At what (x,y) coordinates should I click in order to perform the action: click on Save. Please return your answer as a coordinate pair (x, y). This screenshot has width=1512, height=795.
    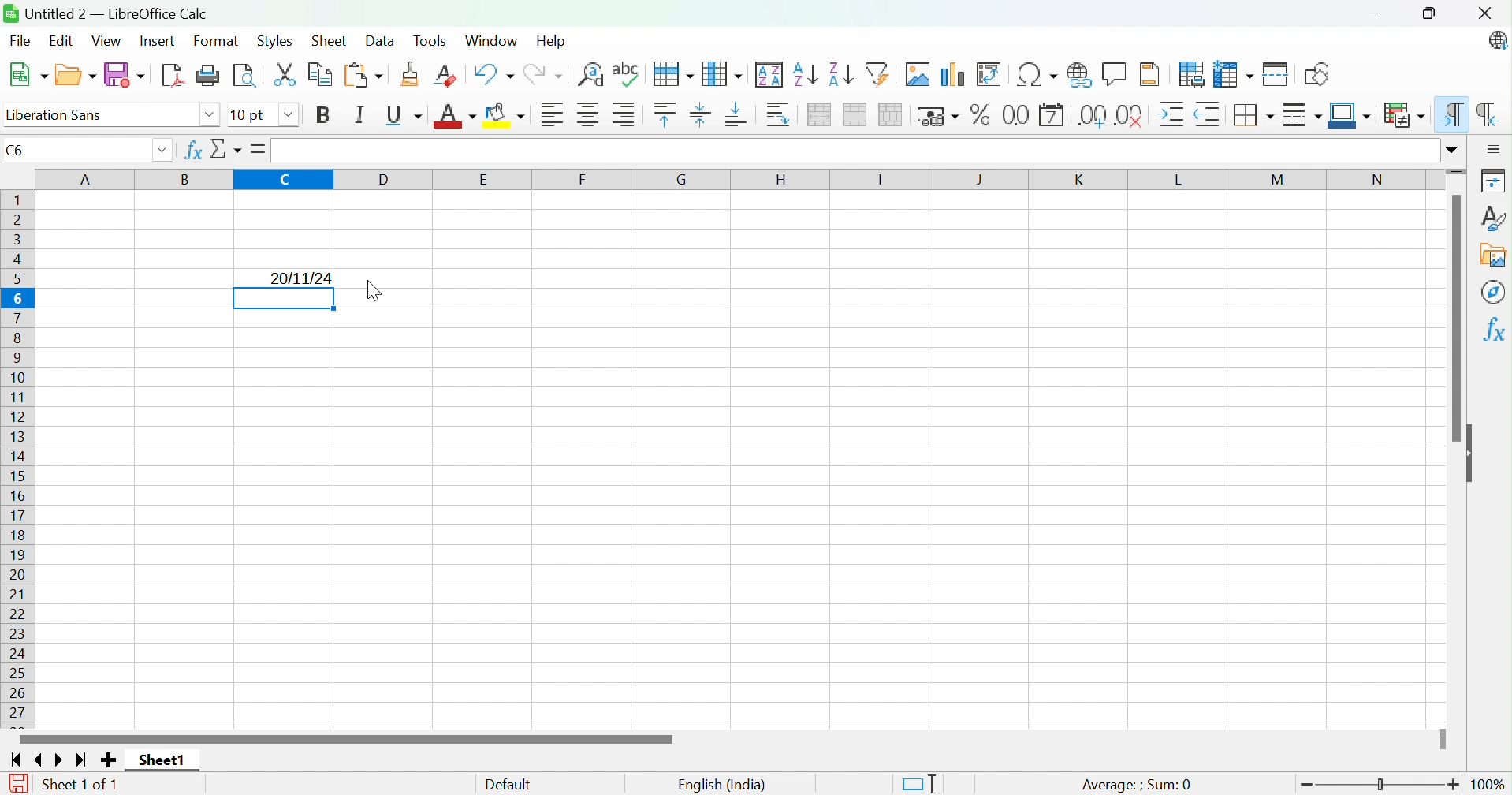
    Looking at the image, I should click on (126, 73).